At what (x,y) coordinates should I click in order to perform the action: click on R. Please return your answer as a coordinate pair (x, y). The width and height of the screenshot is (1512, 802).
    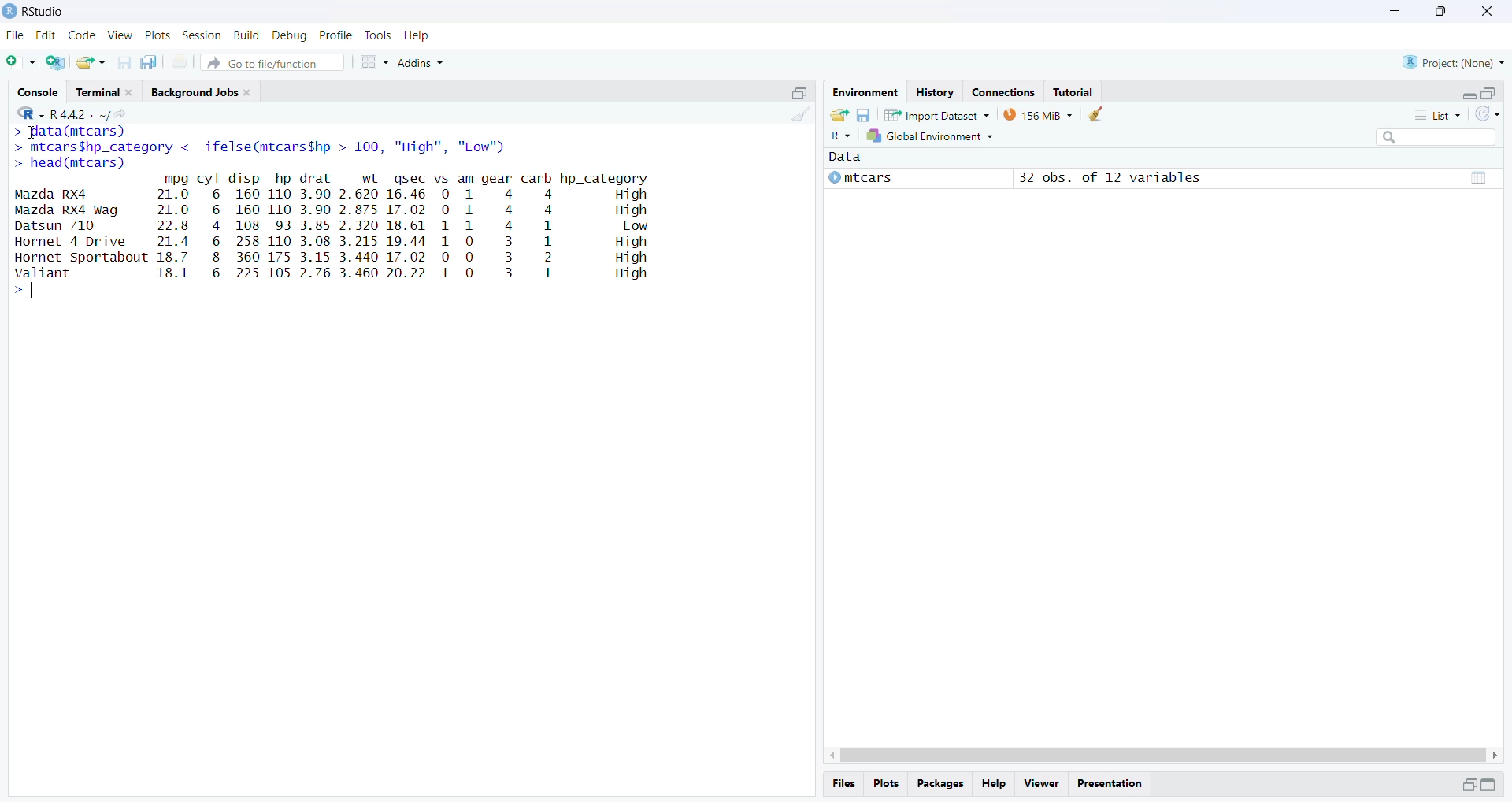
    Looking at the image, I should click on (842, 136).